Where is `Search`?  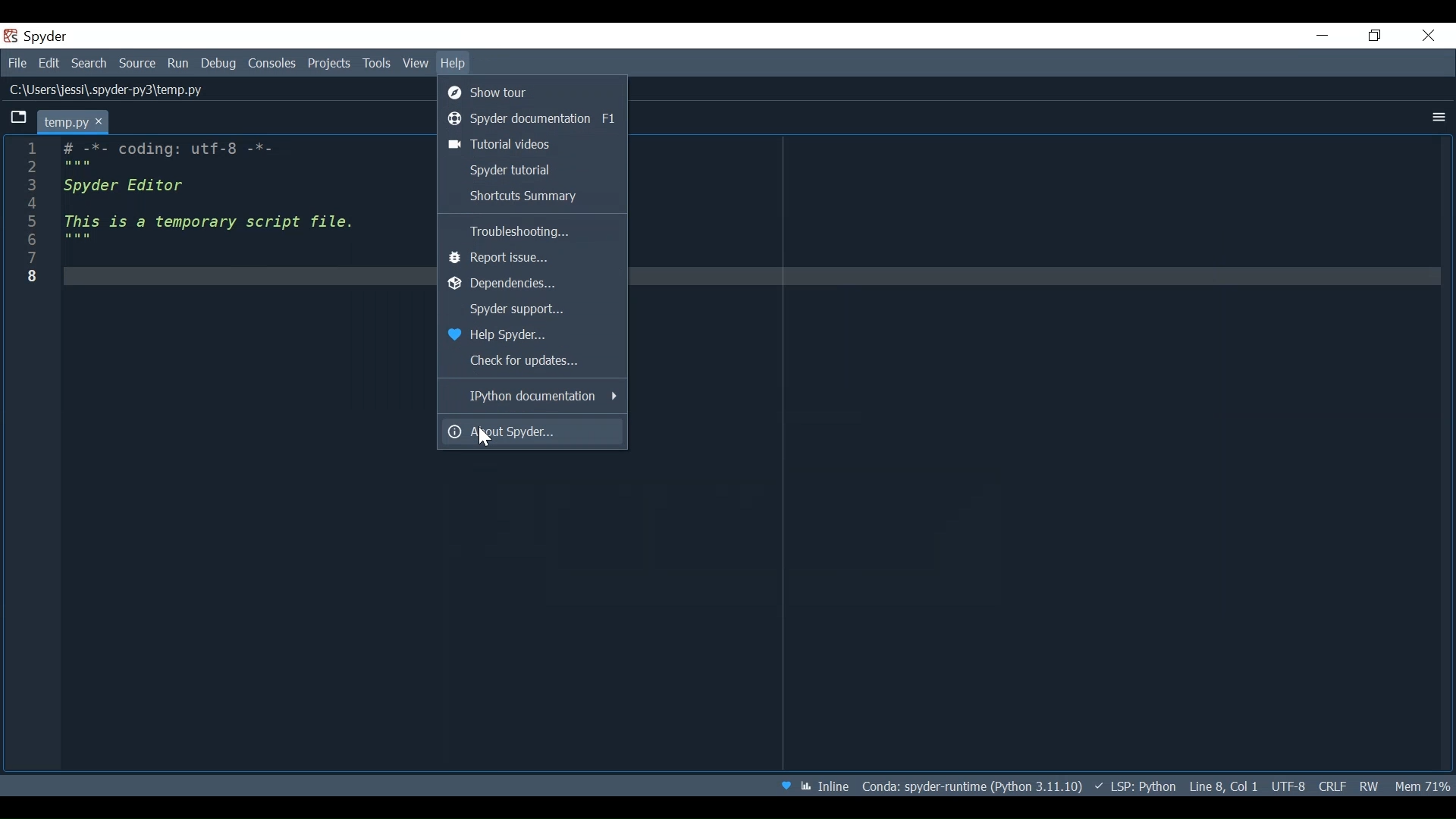 Search is located at coordinates (88, 64).